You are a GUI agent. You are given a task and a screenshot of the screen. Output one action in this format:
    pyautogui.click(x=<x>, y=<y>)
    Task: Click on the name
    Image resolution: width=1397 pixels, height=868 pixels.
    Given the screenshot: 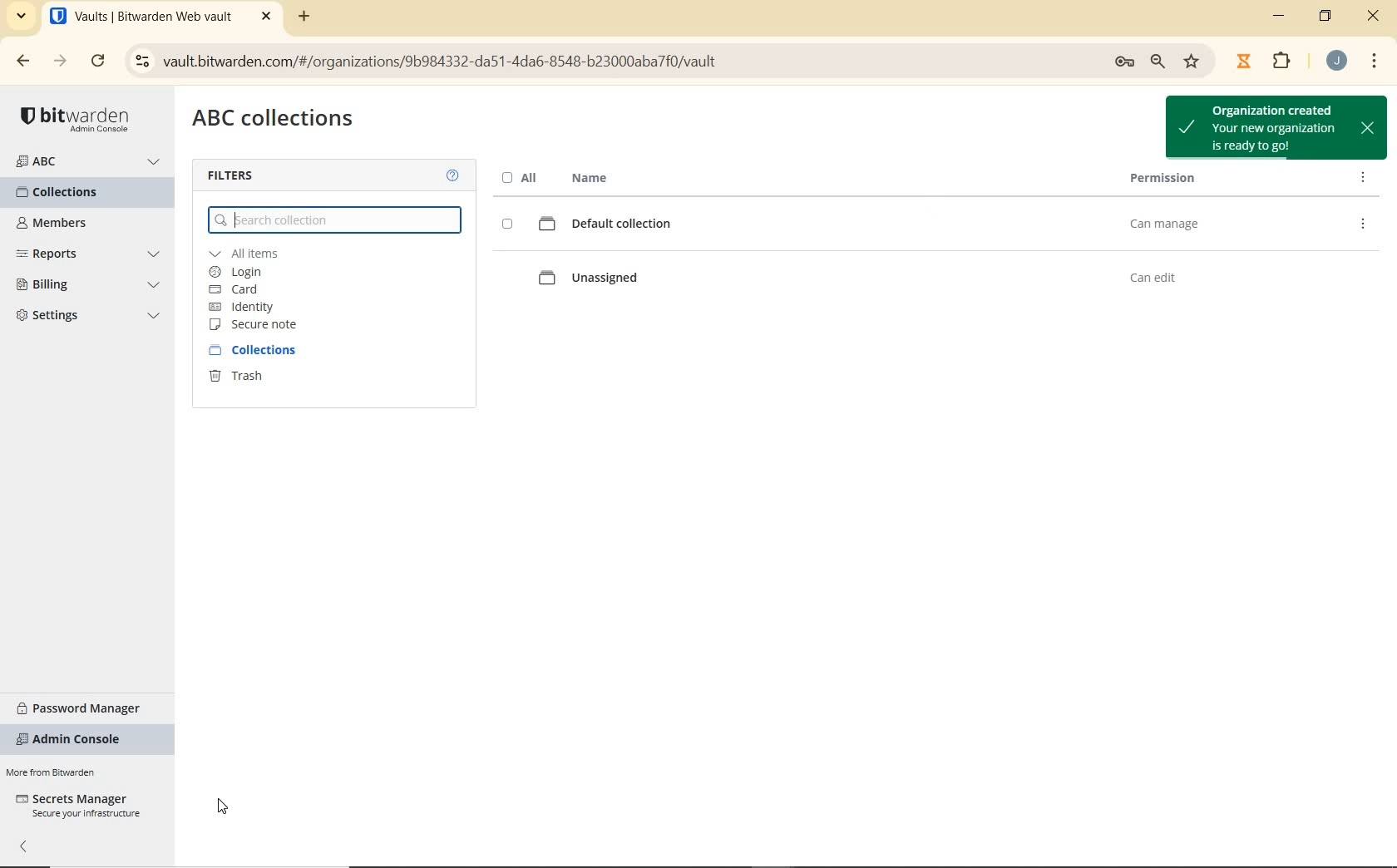 What is the action you would take?
    pyautogui.click(x=589, y=180)
    